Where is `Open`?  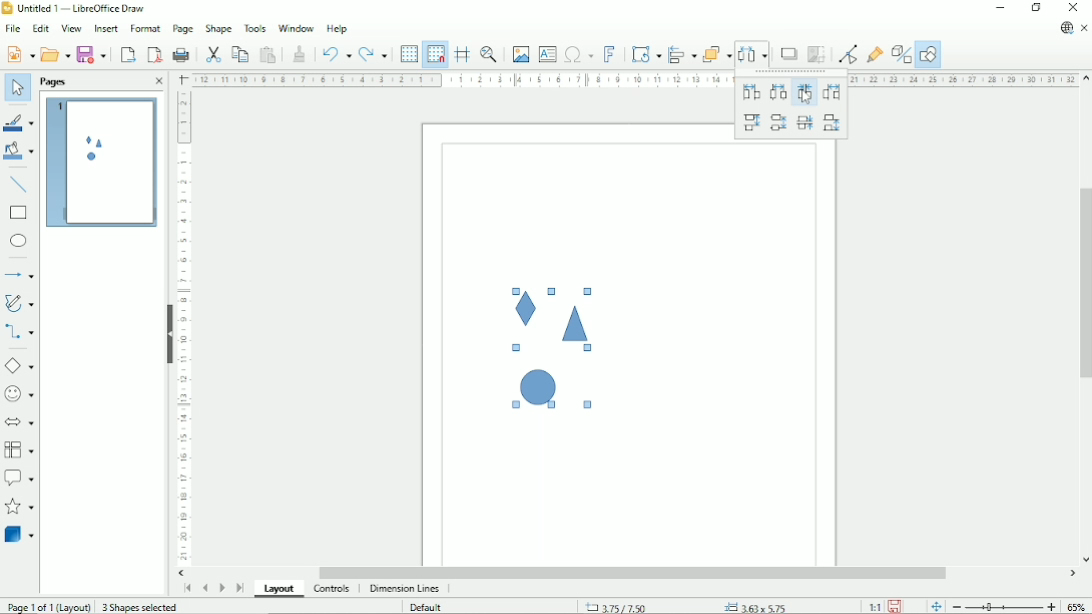
Open is located at coordinates (54, 53).